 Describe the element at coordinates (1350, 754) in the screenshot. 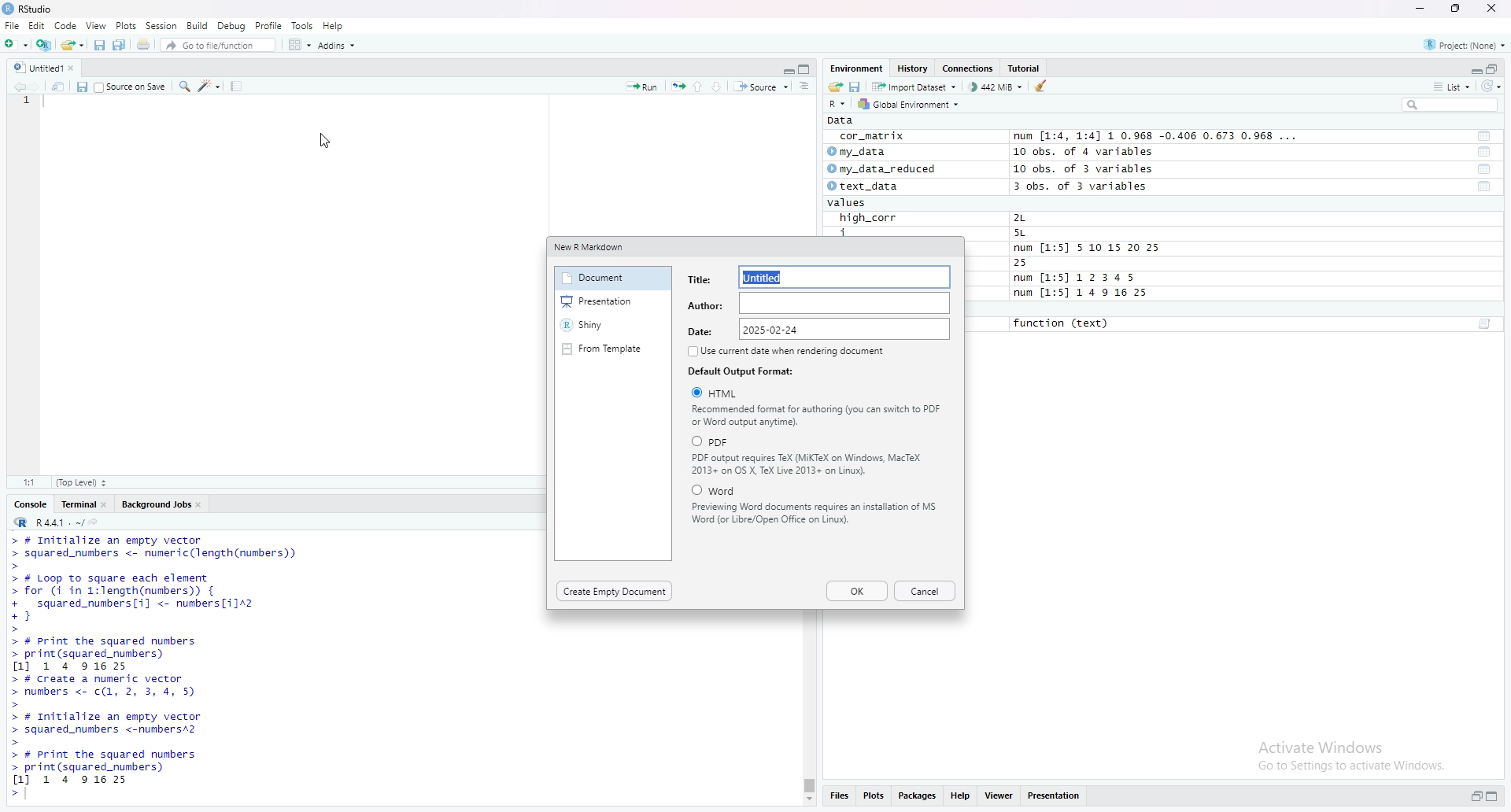

I see `Activate Windows
Go to Settings to activate Windows.` at that location.